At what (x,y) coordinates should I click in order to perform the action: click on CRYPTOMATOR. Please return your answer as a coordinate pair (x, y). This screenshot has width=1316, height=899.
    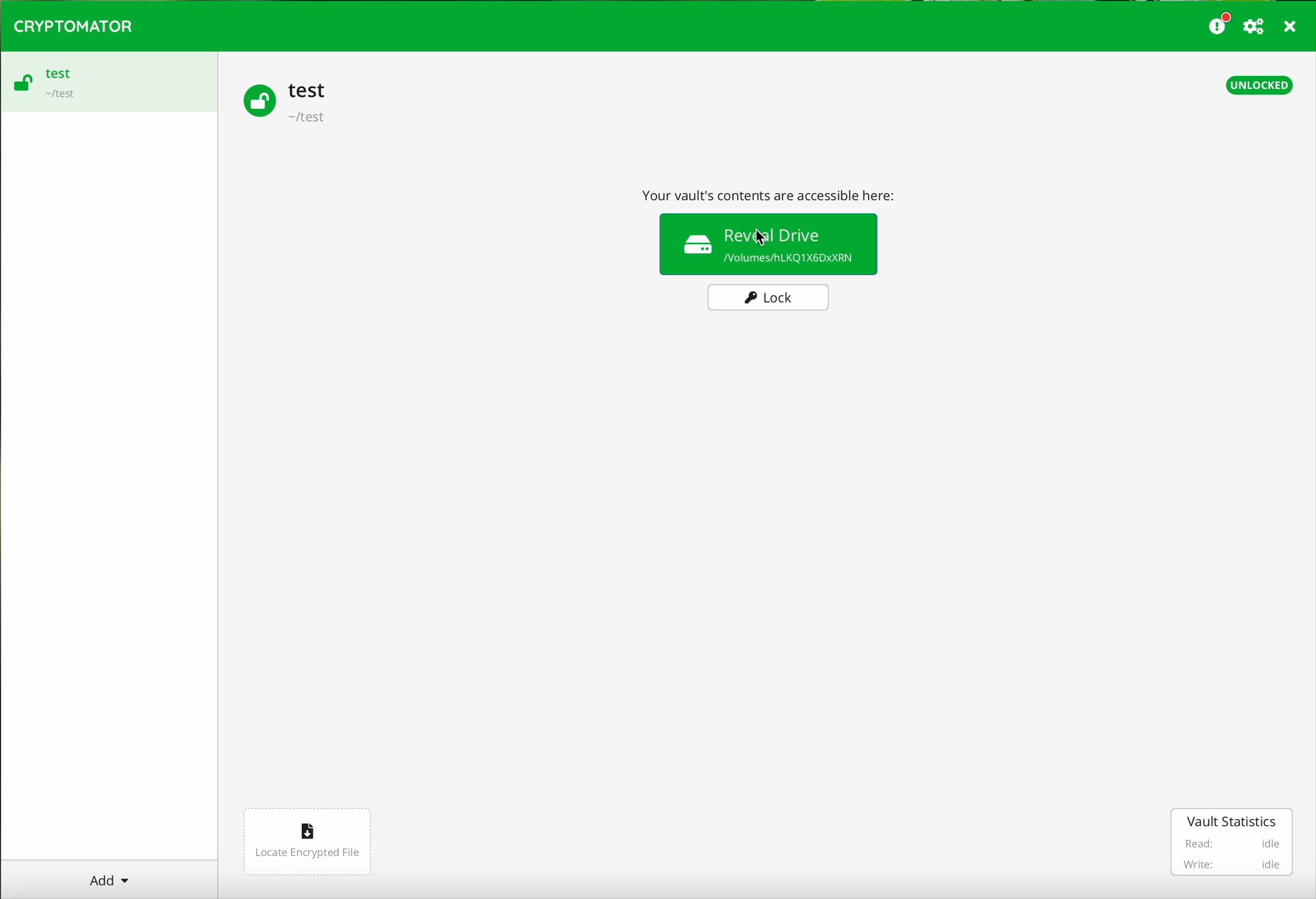
    Looking at the image, I should click on (73, 24).